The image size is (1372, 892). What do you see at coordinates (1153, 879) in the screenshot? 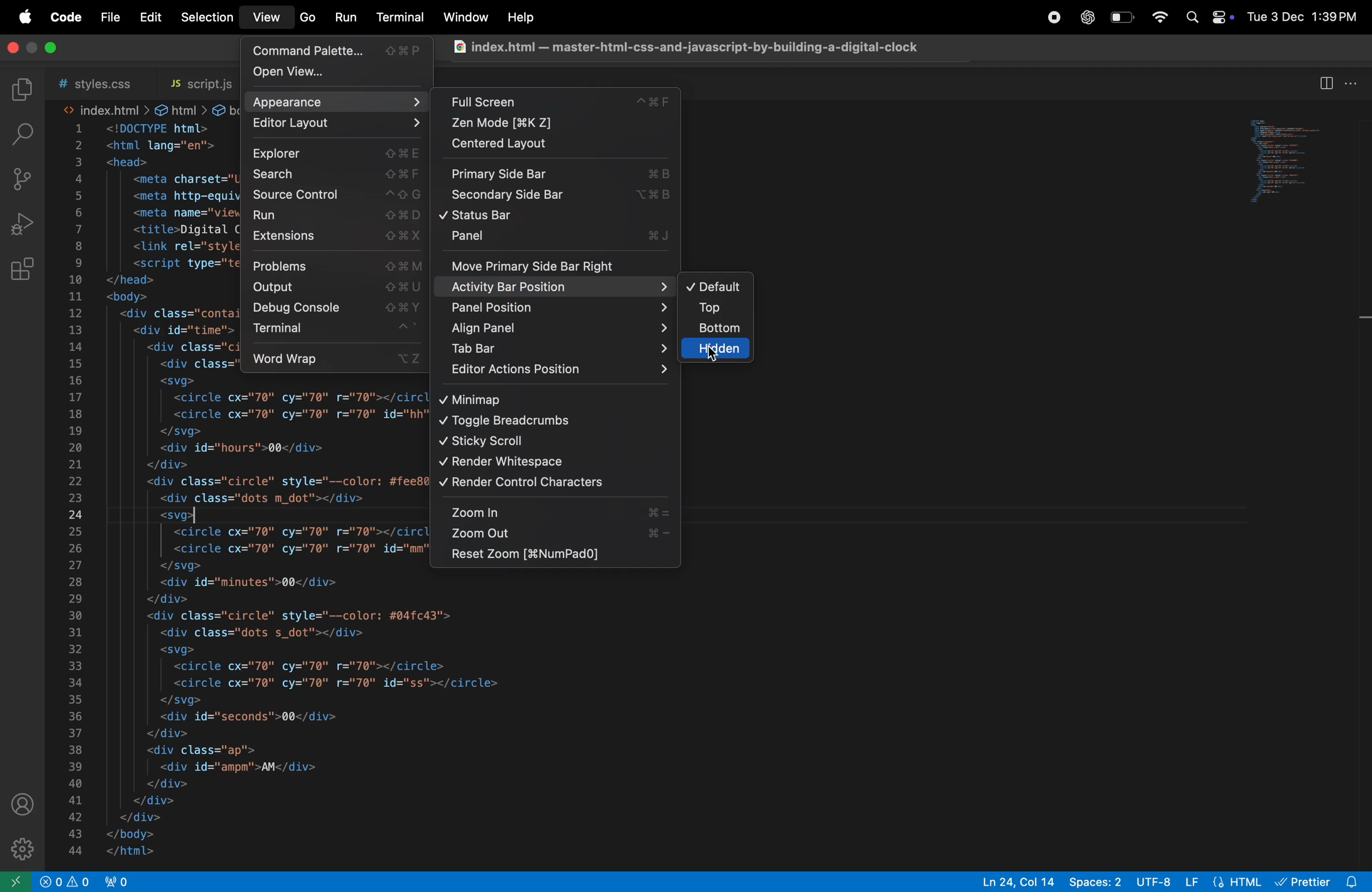
I see `utf 8` at bounding box center [1153, 879].